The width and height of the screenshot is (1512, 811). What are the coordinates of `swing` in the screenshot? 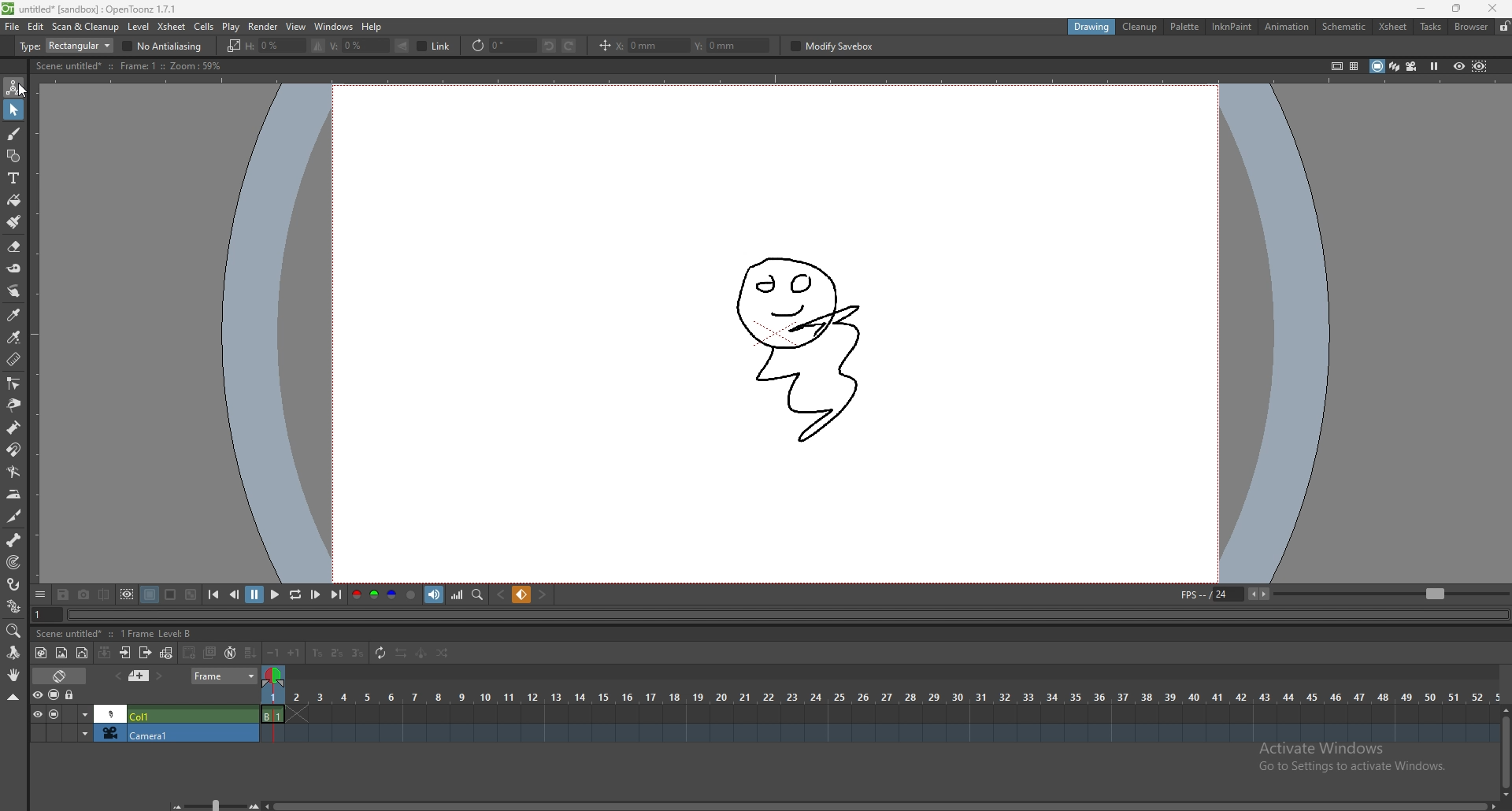 It's located at (421, 654).